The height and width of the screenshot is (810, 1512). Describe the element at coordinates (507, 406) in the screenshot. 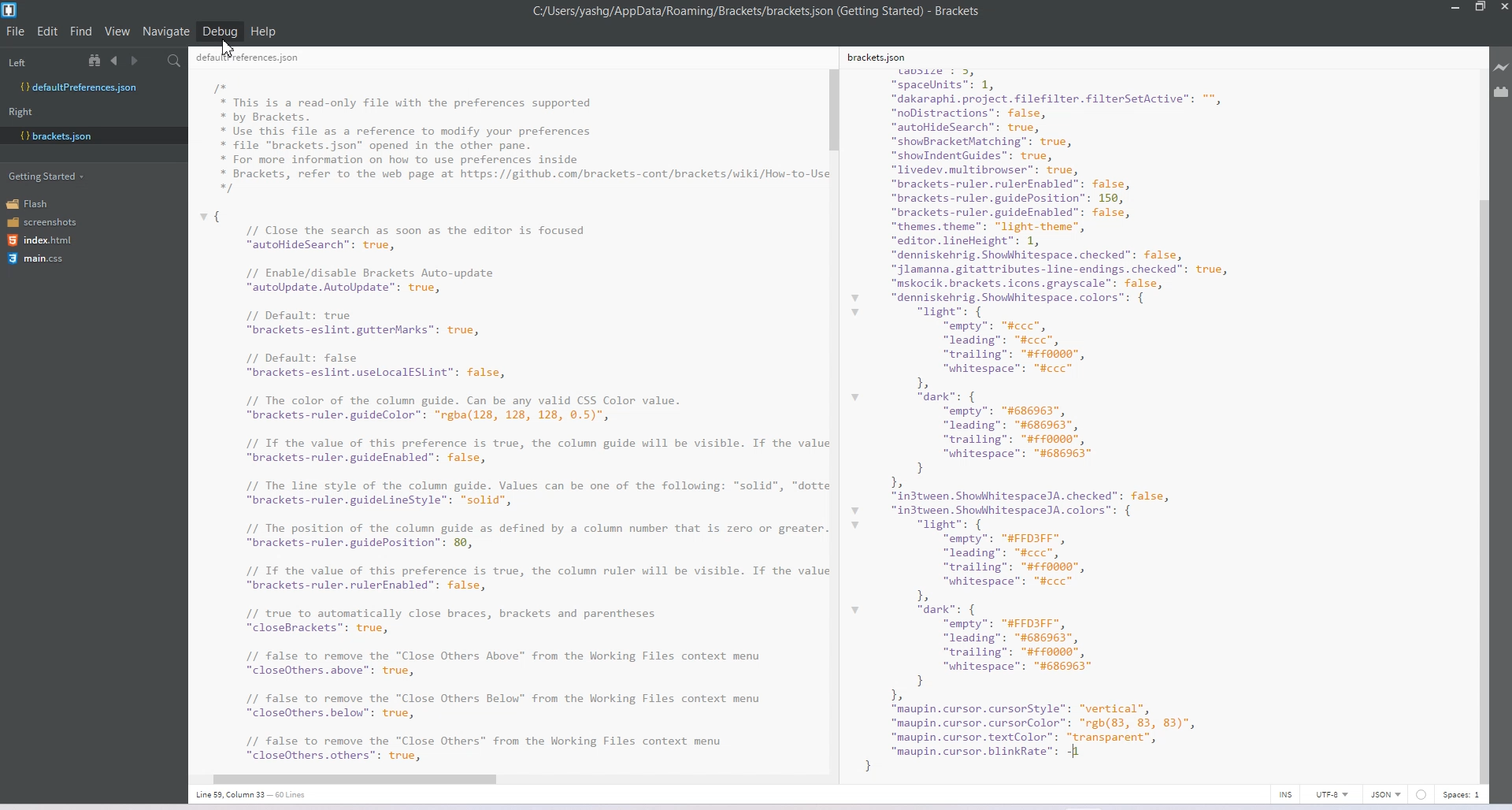

I see `RE I
I”
* This is a read-only file with the preferences supported
* by Brackets.
* Use this file as a reference to modify your preferences
* file "brackets.json" opened in the other pane.
* For more information on how to use preferences inside
* Brackets, refer to the web page at https://github.com/brackets-cont/brackets/wiki/How-to-U:
*/
{
// Close the search as soon as the editor is focused
“autoHideSearch”: true,
// Enable/disable Brackets Auto-update
“autoUpdate. AutoUpdate”: true,
// Default: true
“brackets-eslint.gutterMarks": true,
// Default: false
“brackets-eslint.uselocalESLint": false,
// The color of the column guide. Can be any valid CSS Color value.
“brackets-ruler.guideColor": "rgba(128, 128, 128, ©.5)",
// Tf the value of this preference is true, the column guide will be visible. If the val:
“brackets-ruler.guideEnabled": false,
// The line style of the column guide. Values can be one of the following: “solid”, "dott
“brackets-ruler.guidelineStyle": "solid",
// The position of the column guide as defined by a column number that is zero or greater
“brackets-ruler.guidePosition": 89,
// Tf the value of this preference is true, the column ruler will be visible. If the val:
“brackets-ruler.rulerEnabled": false,
// true to automatically close braces, brackets and parentheses
“closeBrackets": true,
// false to remove the "Close Others Above” from the Working Files context menu
“closeOthers.above": true,
// false to remove the "Close Others Below” from the Working Files context menu
“closeOthers.below": true,
// false to remove the "Close Others” from the Working Files context menu
"closeOthers.others”: true,` at that location.